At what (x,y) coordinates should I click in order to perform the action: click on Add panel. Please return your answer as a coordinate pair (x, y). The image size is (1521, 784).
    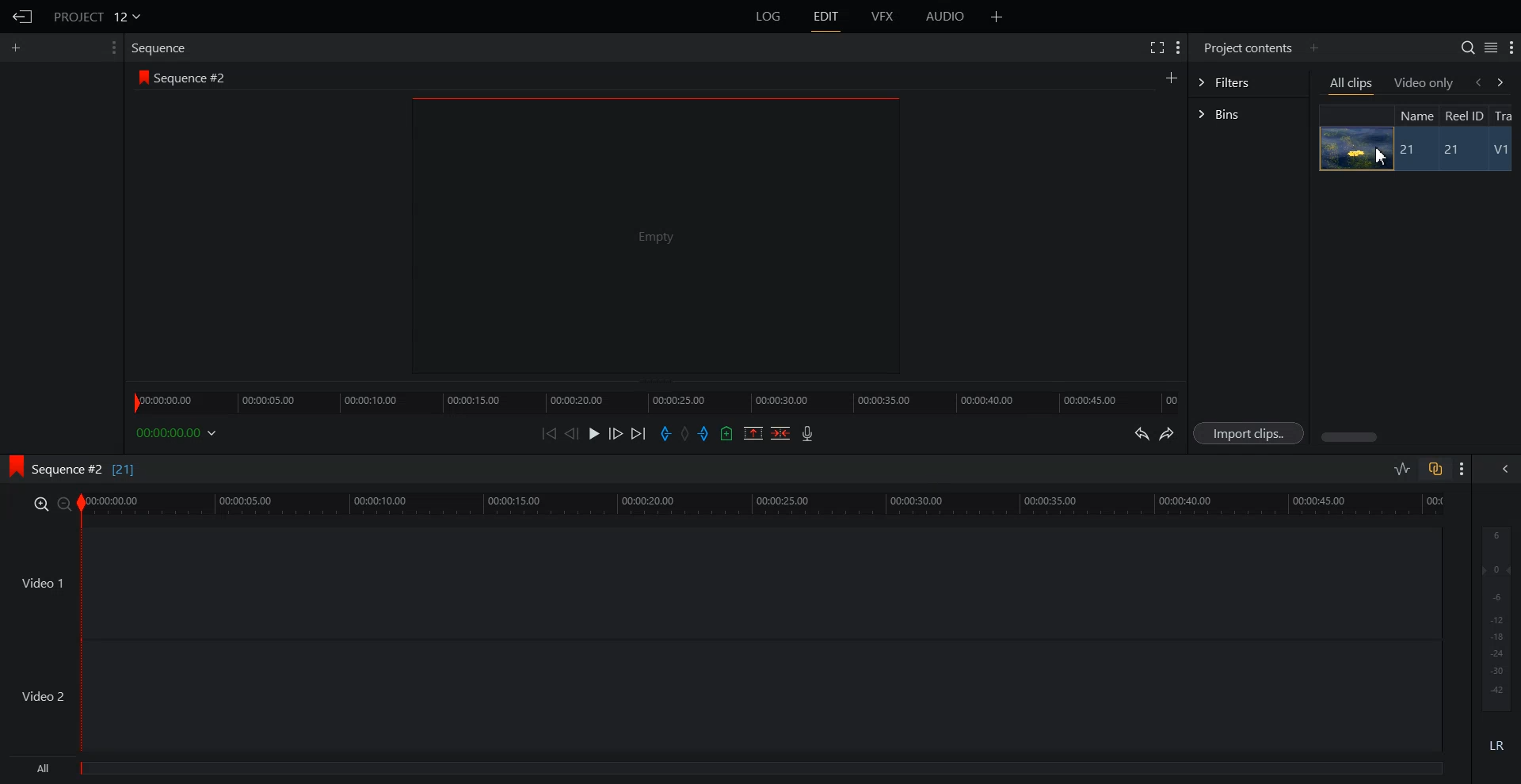
    Looking at the image, I should click on (1313, 48).